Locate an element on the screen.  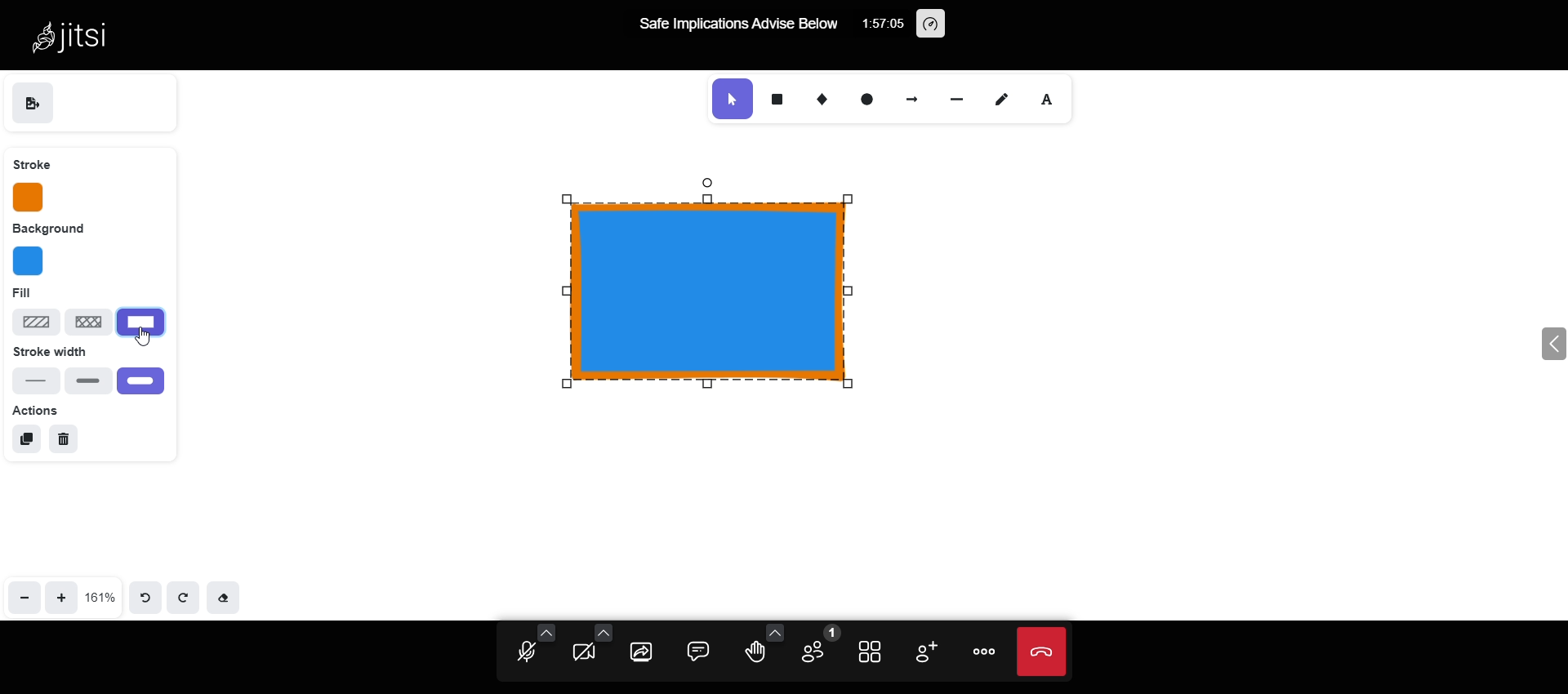
stroke is located at coordinates (39, 164).